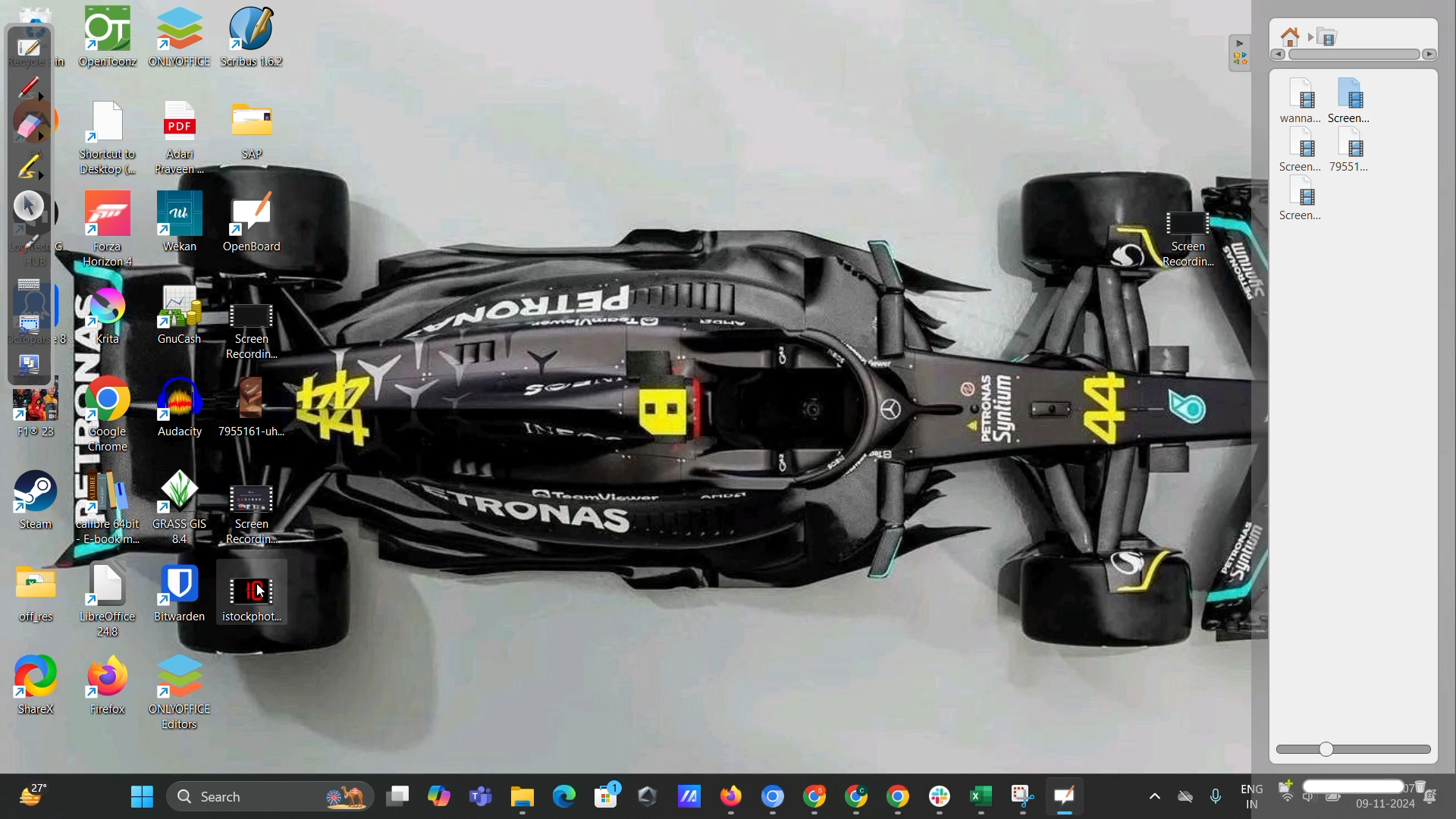  What do you see at coordinates (114, 604) in the screenshot?
I see `LibreOffice 44.8` at bounding box center [114, 604].